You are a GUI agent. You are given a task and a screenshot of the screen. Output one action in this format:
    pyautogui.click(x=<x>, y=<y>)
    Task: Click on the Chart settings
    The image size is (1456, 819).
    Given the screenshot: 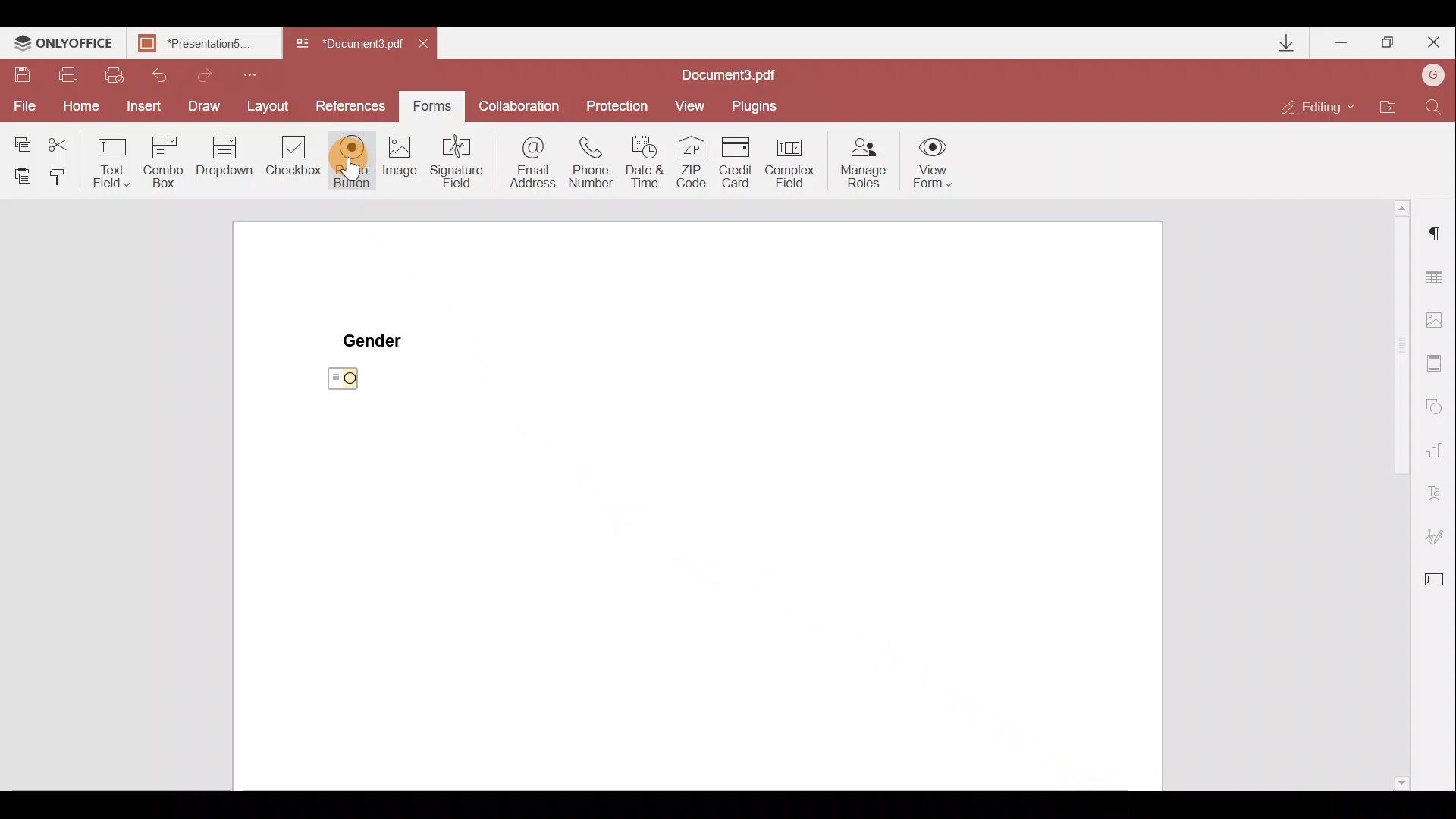 What is the action you would take?
    pyautogui.click(x=1437, y=456)
    